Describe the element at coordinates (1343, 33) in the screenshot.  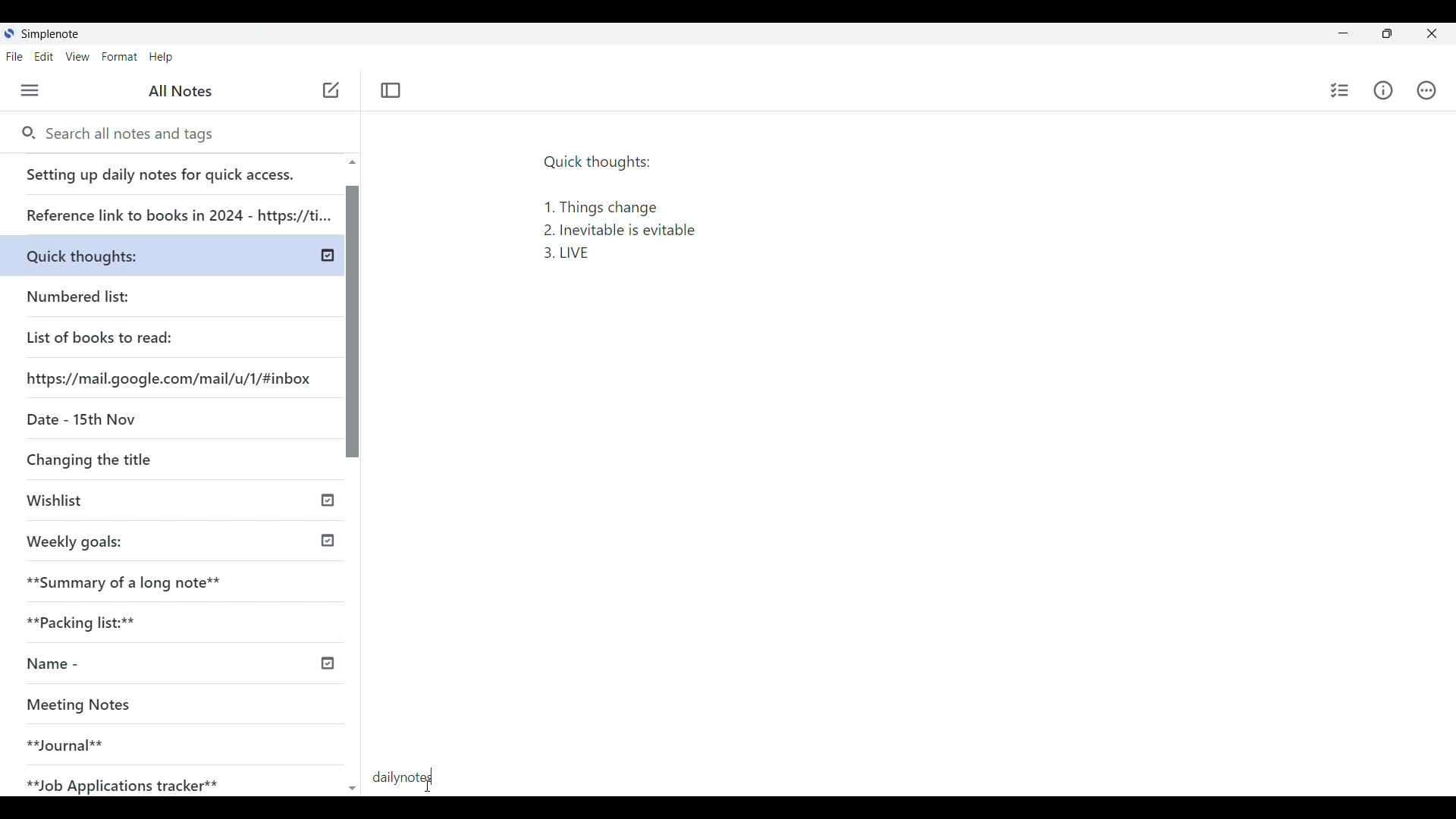
I see `Minimize` at that location.